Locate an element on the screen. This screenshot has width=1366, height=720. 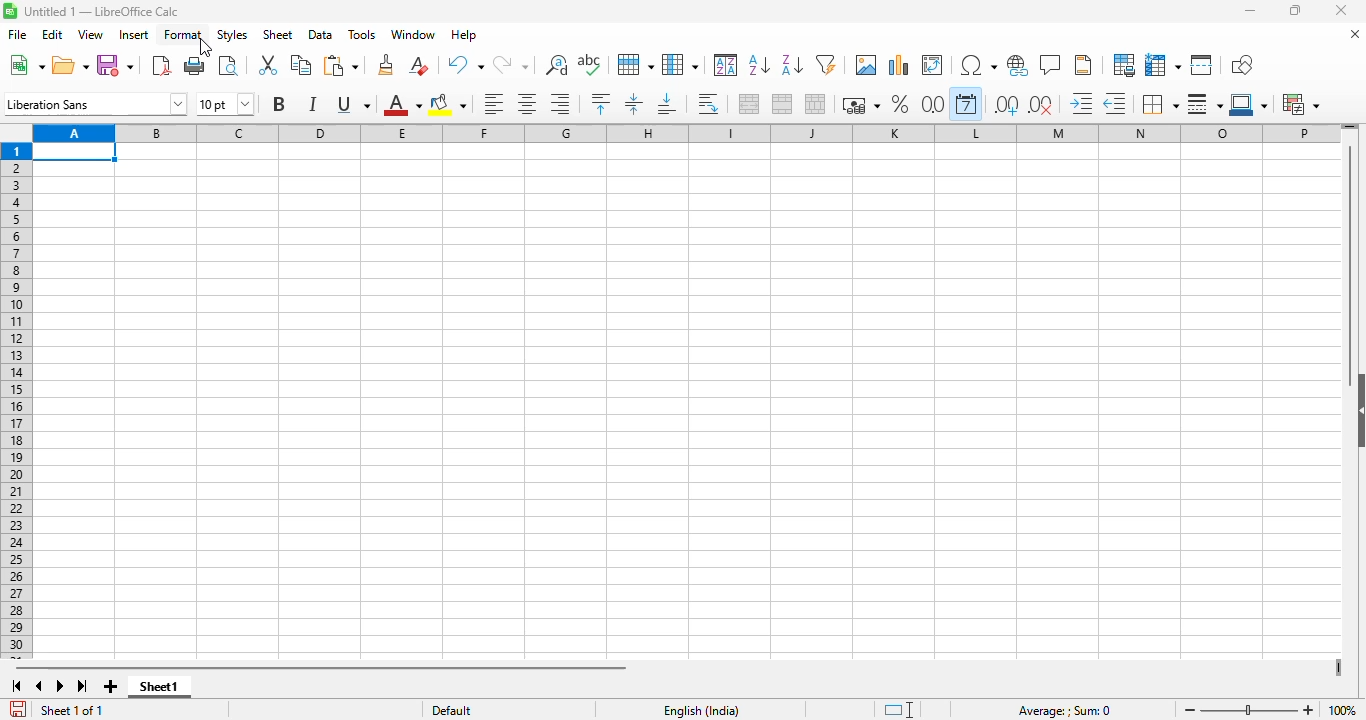
merge and center or unmerge cells depending on the current toggle state is located at coordinates (750, 104).